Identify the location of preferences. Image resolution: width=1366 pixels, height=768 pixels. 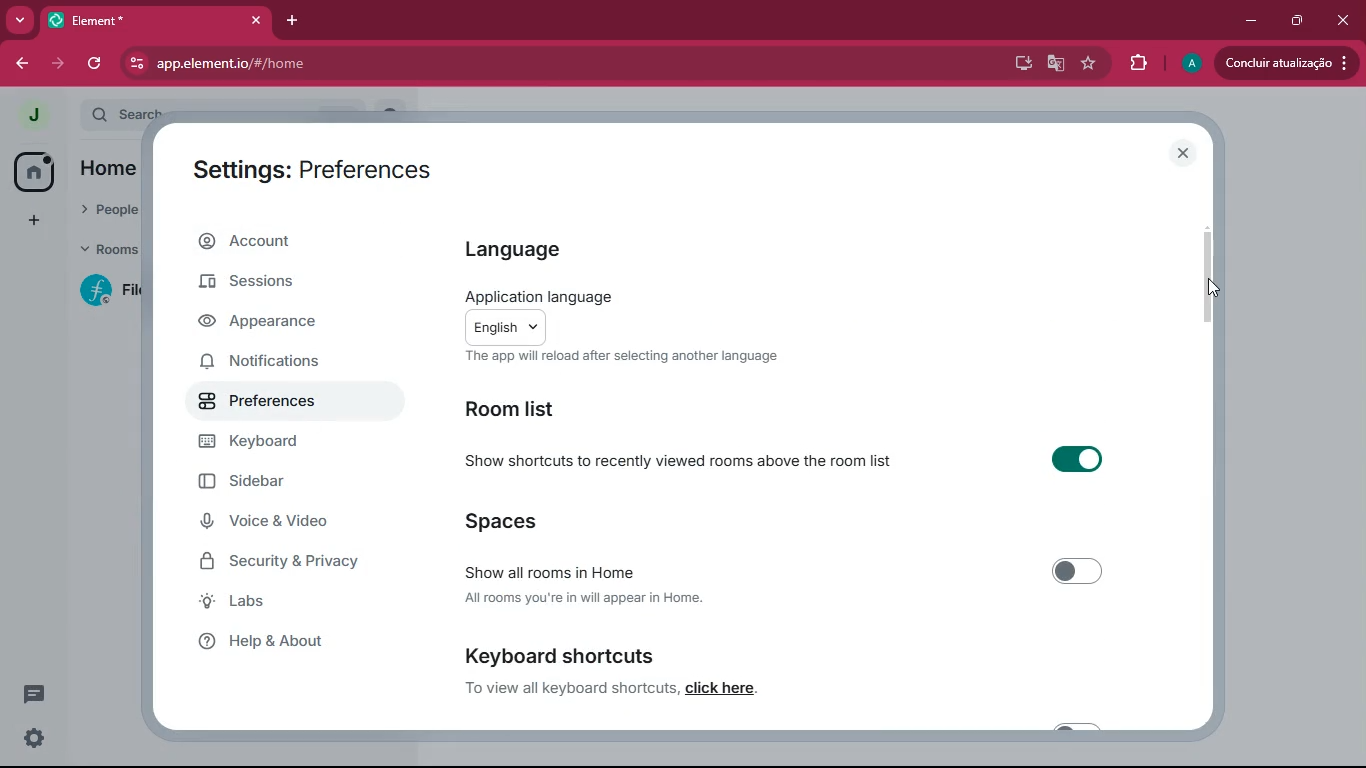
(281, 400).